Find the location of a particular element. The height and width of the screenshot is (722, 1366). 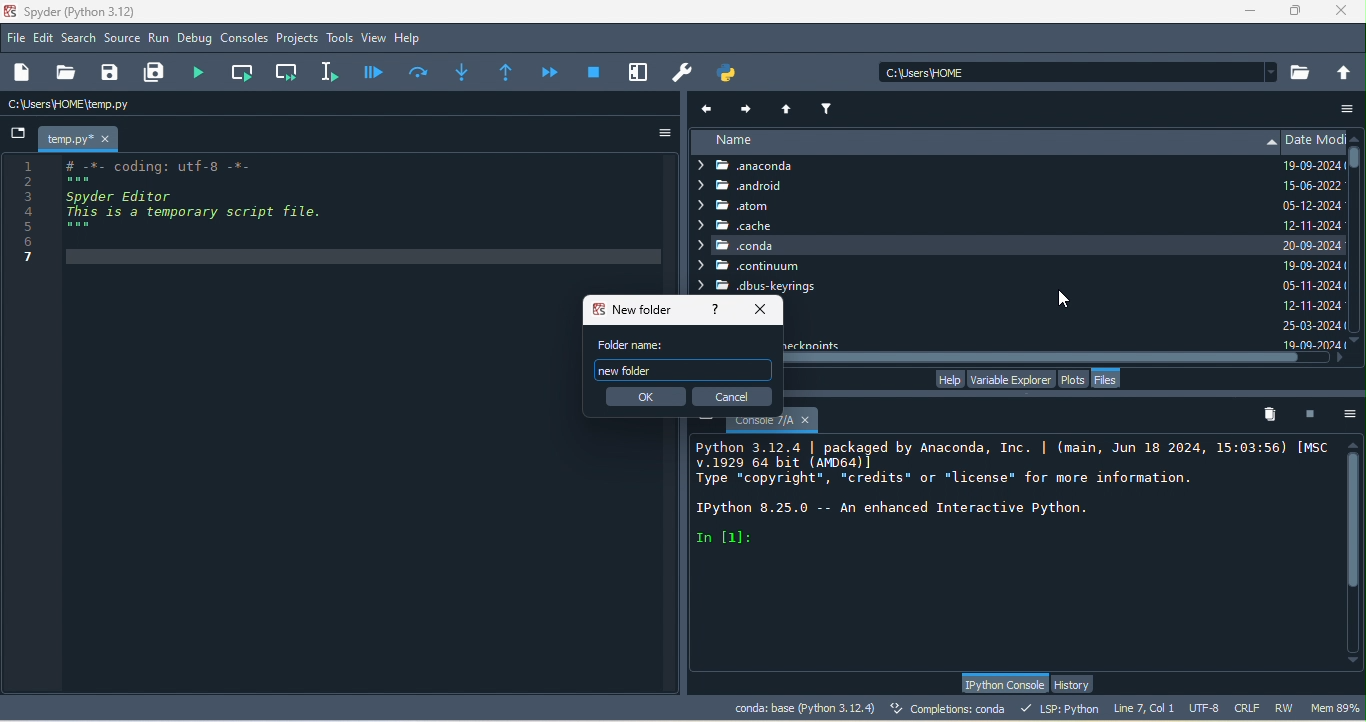

dbus keyrings is located at coordinates (761, 286).